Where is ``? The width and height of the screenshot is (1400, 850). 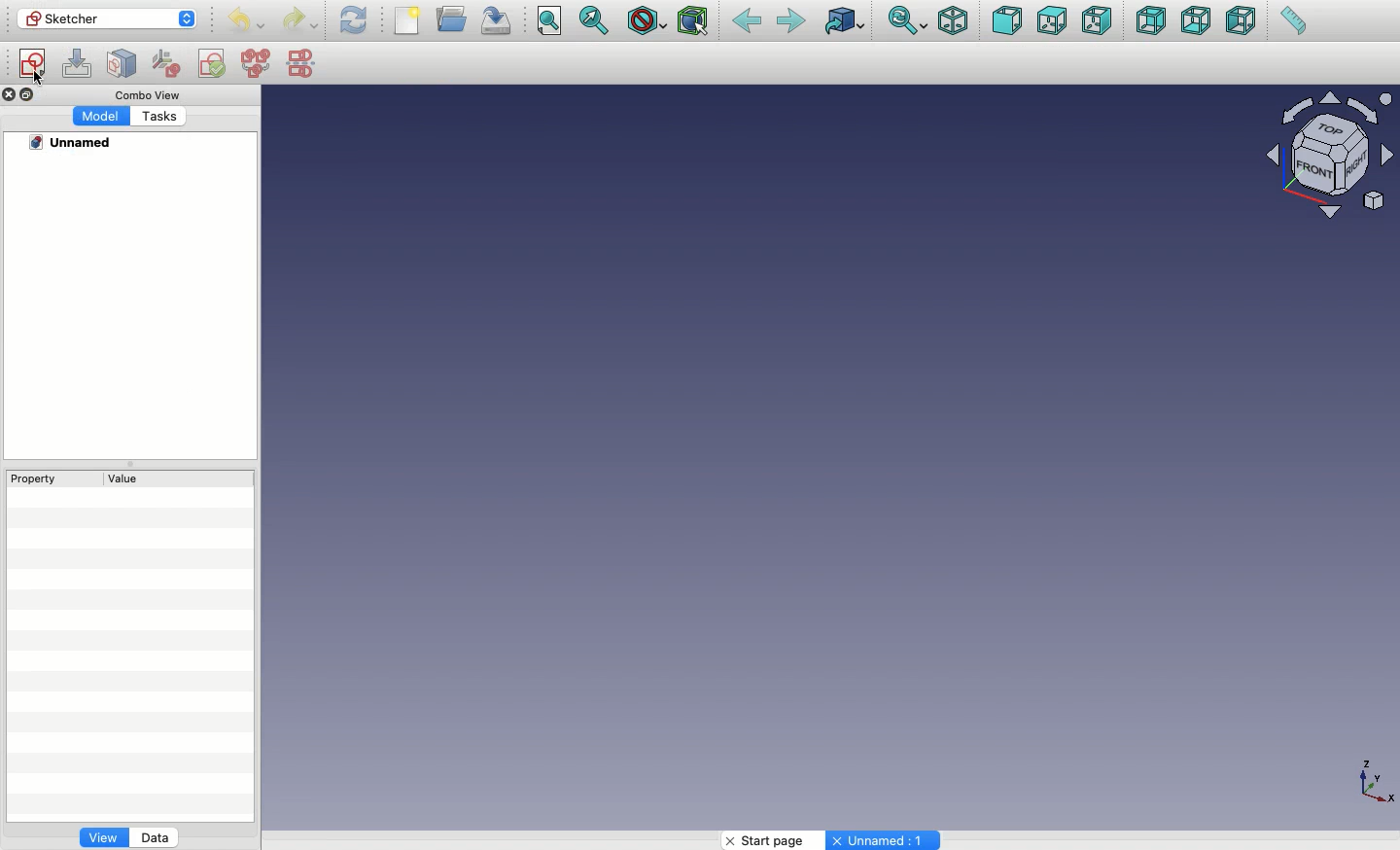
 is located at coordinates (74, 143).